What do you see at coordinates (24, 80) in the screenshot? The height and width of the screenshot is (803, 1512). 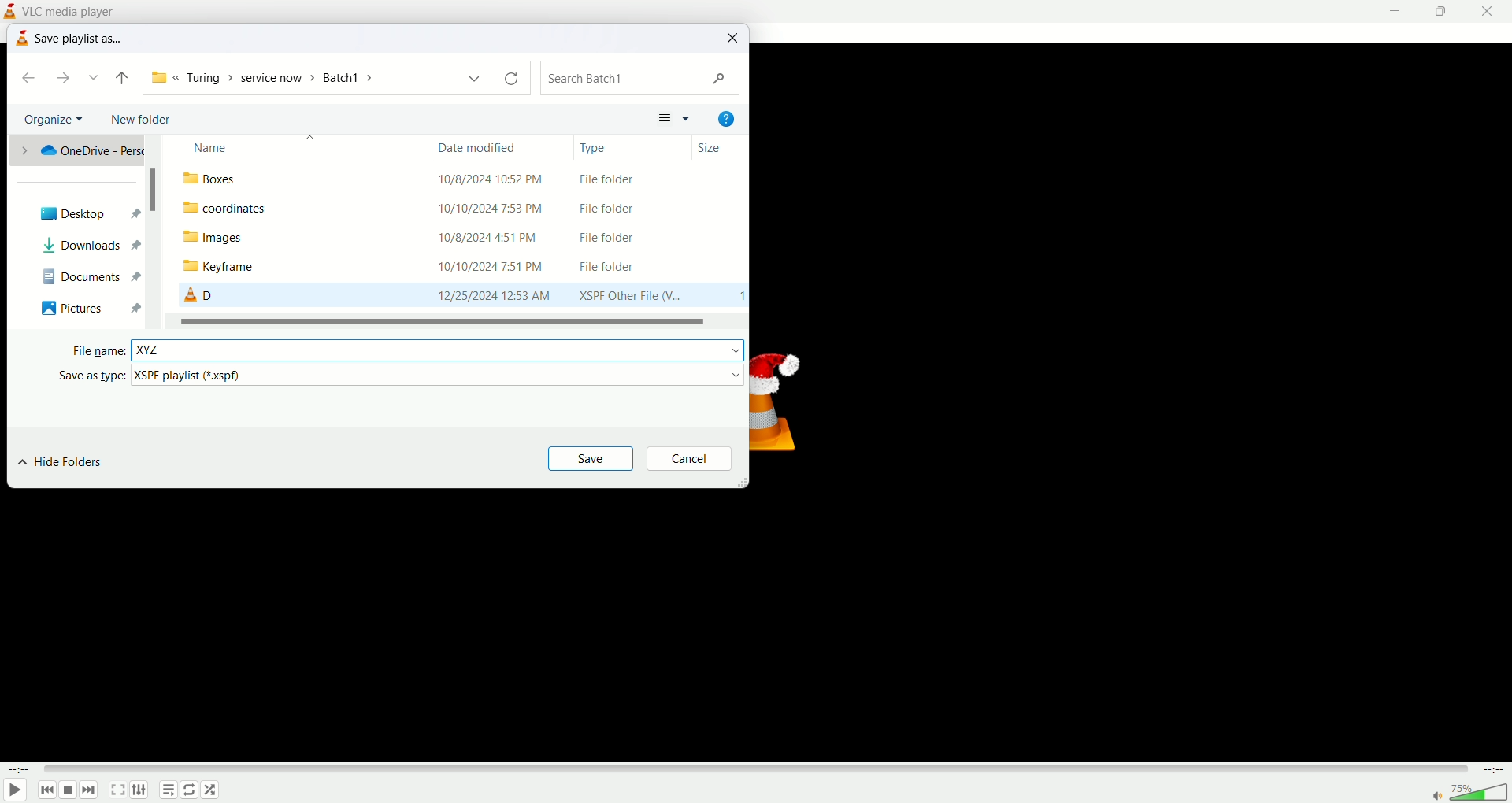 I see `previous` at bounding box center [24, 80].